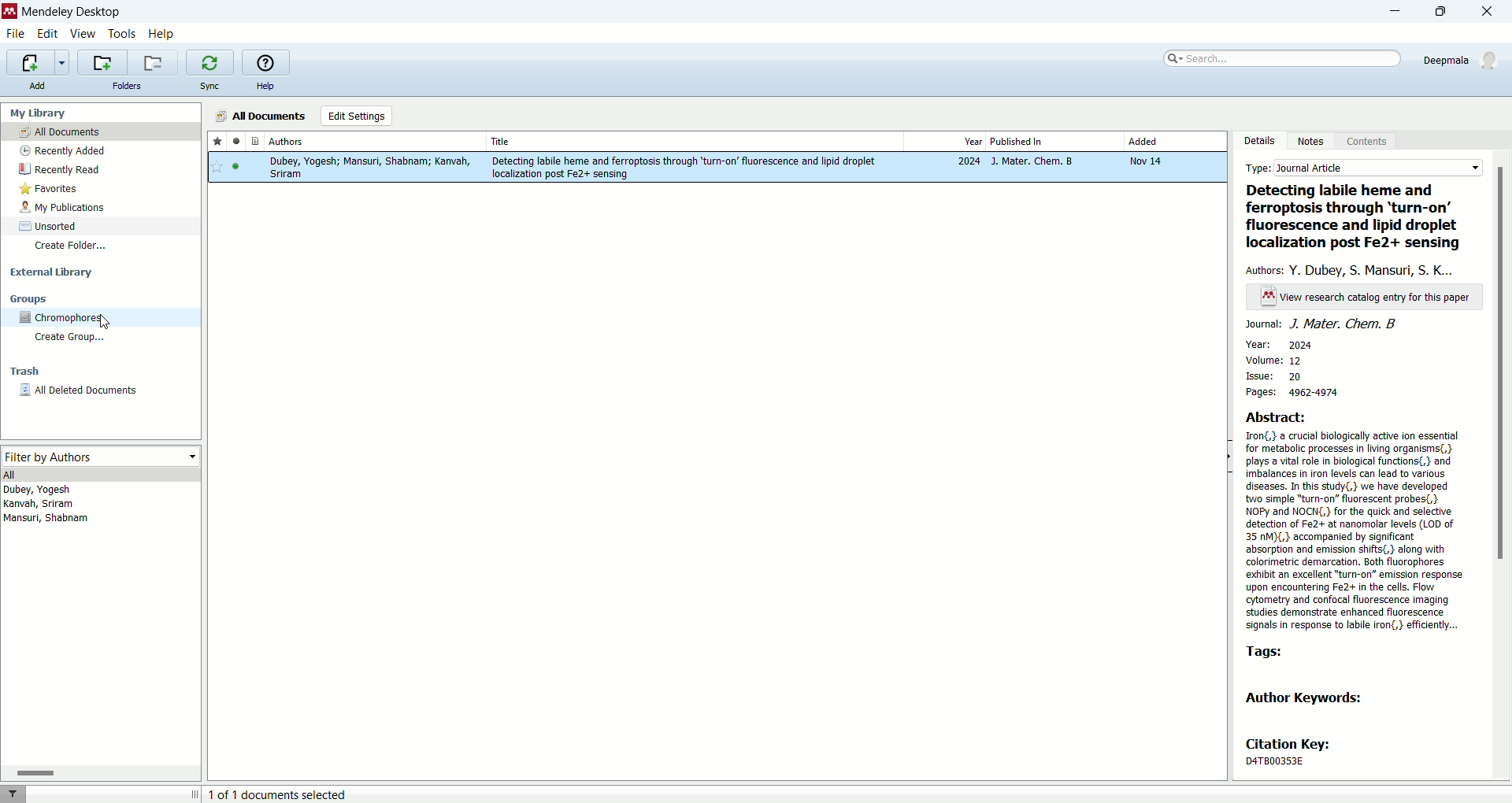 The width and height of the screenshot is (1512, 803). What do you see at coordinates (1284, 57) in the screenshot?
I see `search` at bounding box center [1284, 57].